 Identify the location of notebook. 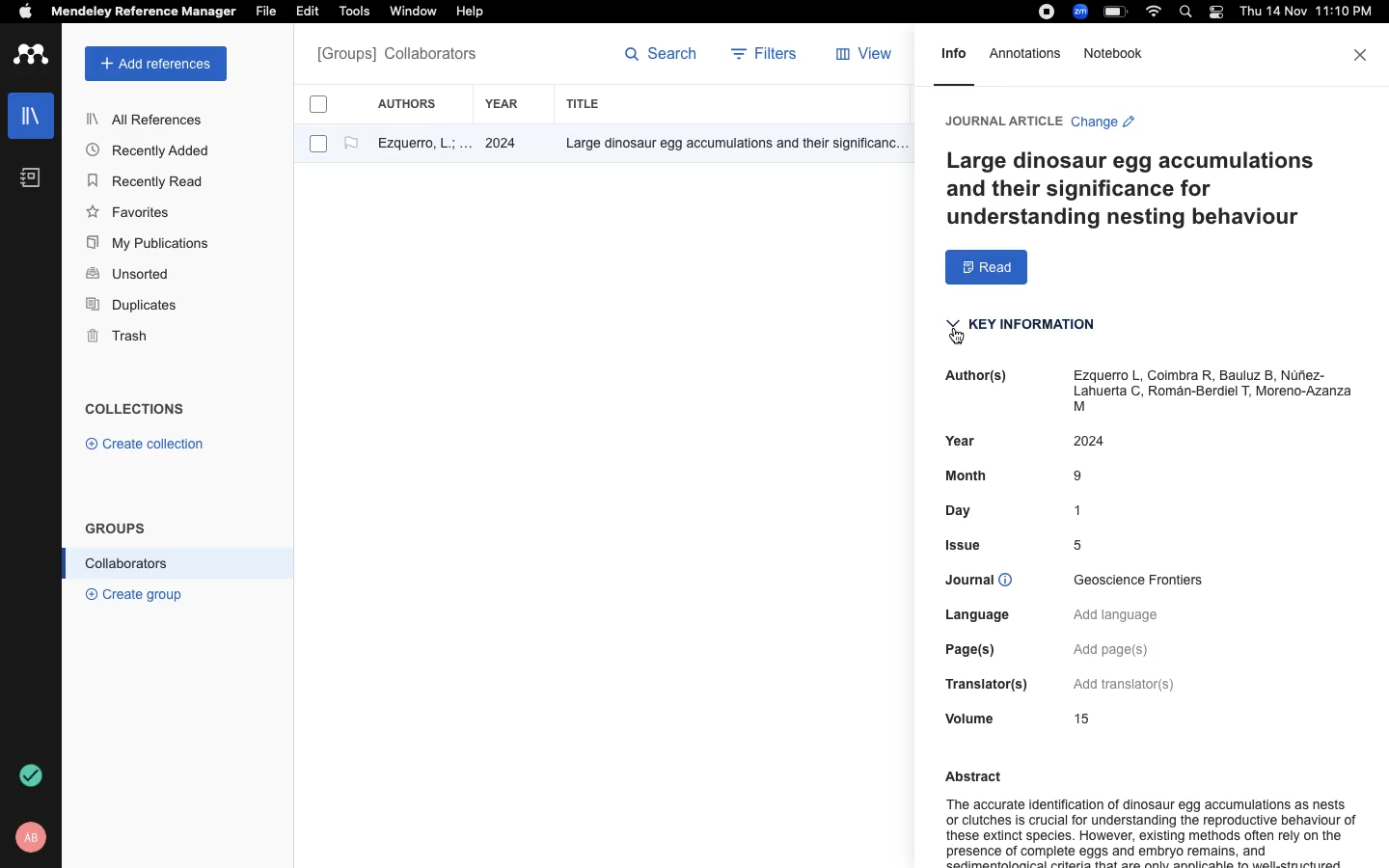
(1116, 55).